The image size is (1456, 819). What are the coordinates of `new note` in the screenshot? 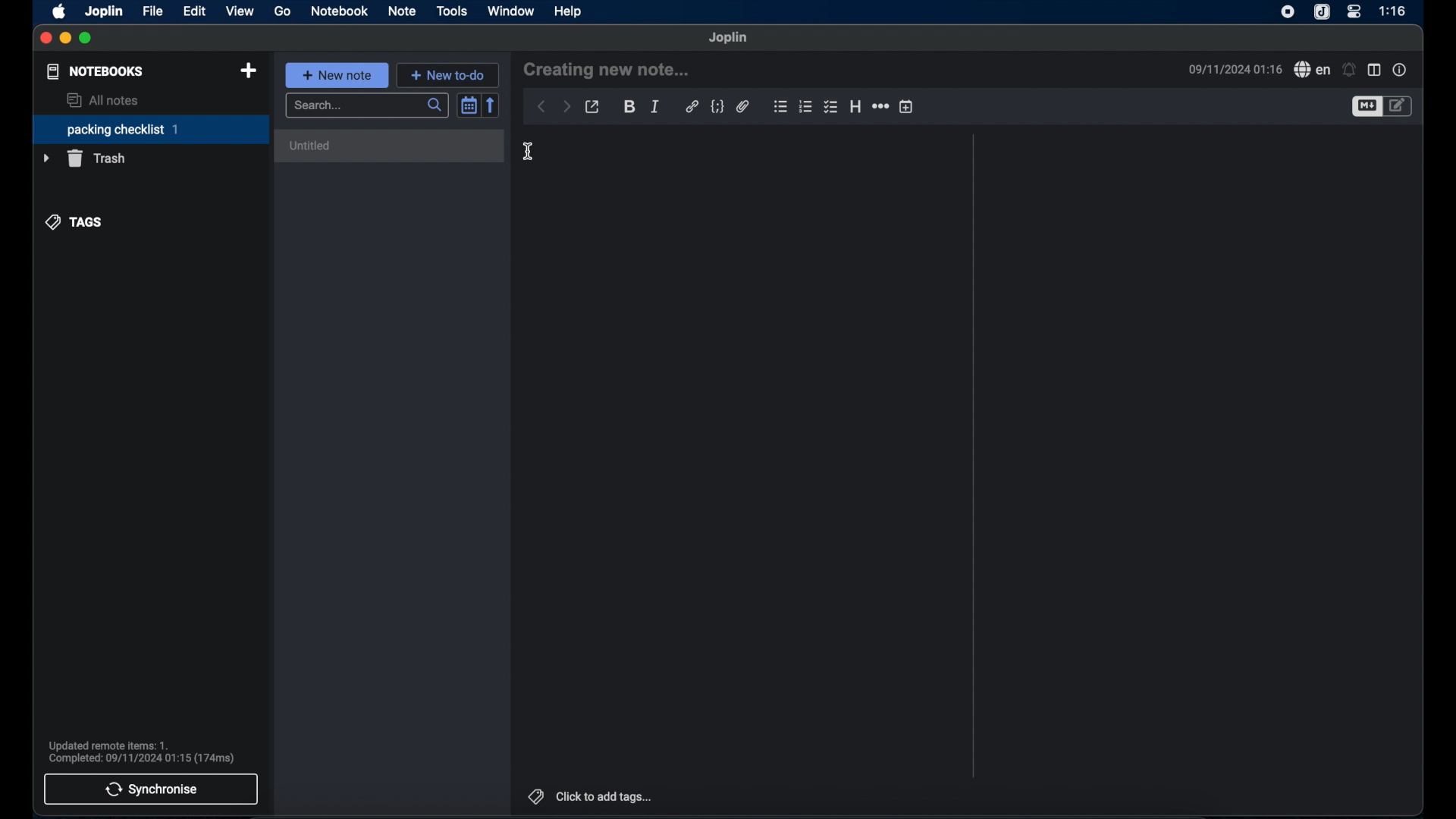 It's located at (337, 75).